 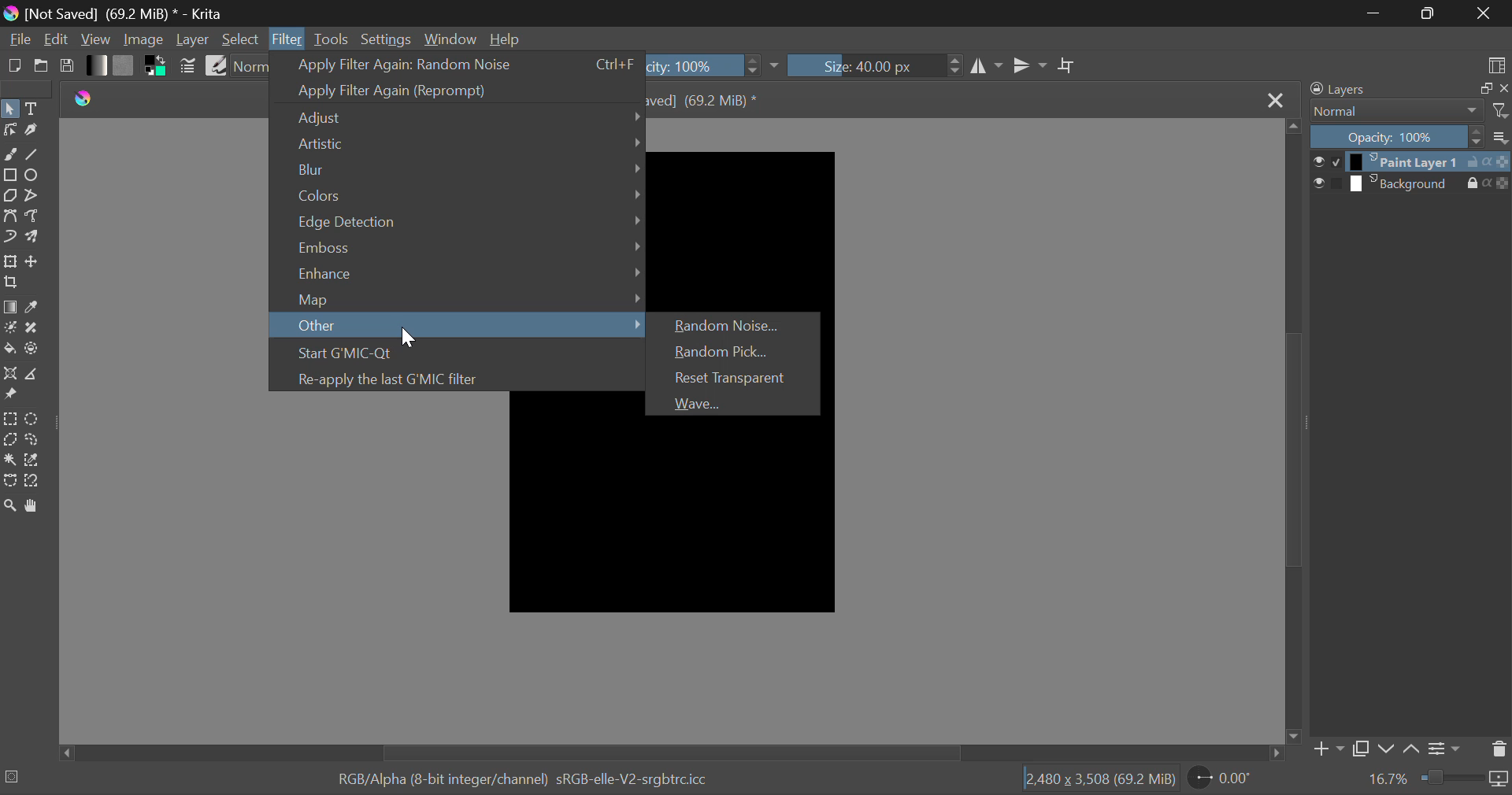 What do you see at coordinates (189, 66) in the screenshot?
I see `Brush Settings` at bounding box center [189, 66].